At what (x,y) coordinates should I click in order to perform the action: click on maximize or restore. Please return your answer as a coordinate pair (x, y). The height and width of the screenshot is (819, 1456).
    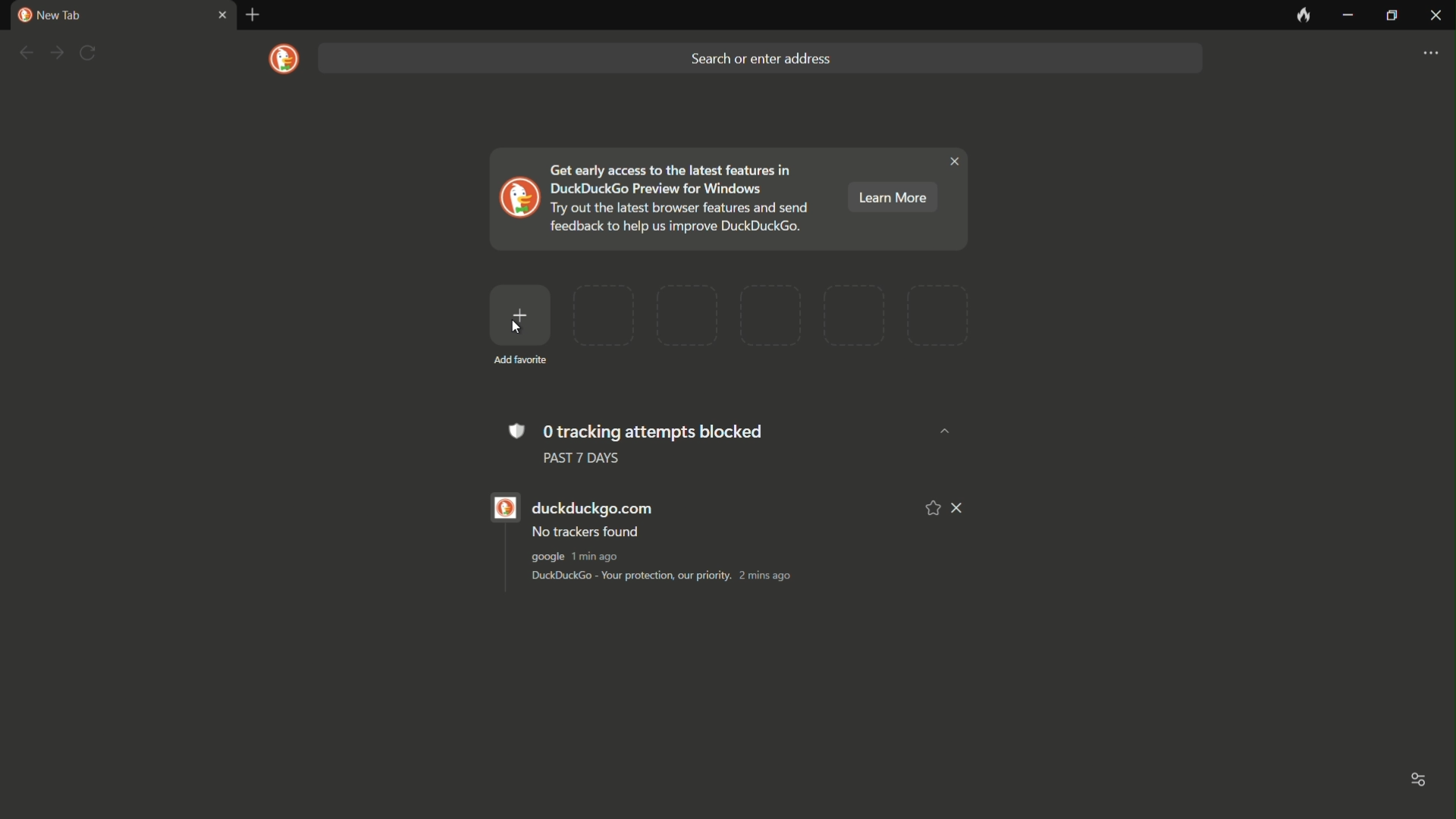
    Looking at the image, I should click on (1391, 17).